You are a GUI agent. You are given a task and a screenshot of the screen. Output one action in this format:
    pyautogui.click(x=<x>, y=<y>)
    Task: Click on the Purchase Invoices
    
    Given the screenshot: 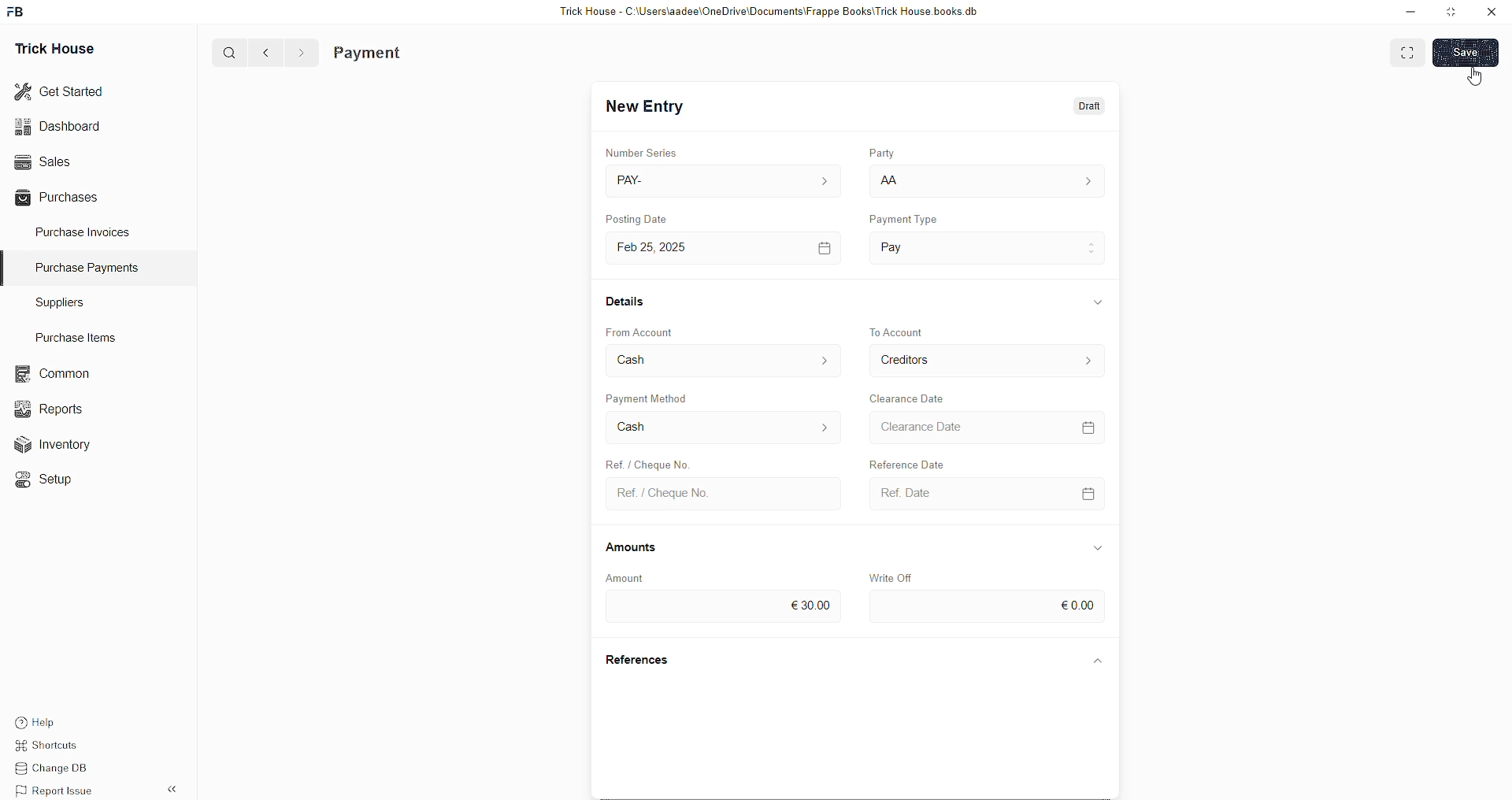 What is the action you would take?
    pyautogui.click(x=85, y=231)
    